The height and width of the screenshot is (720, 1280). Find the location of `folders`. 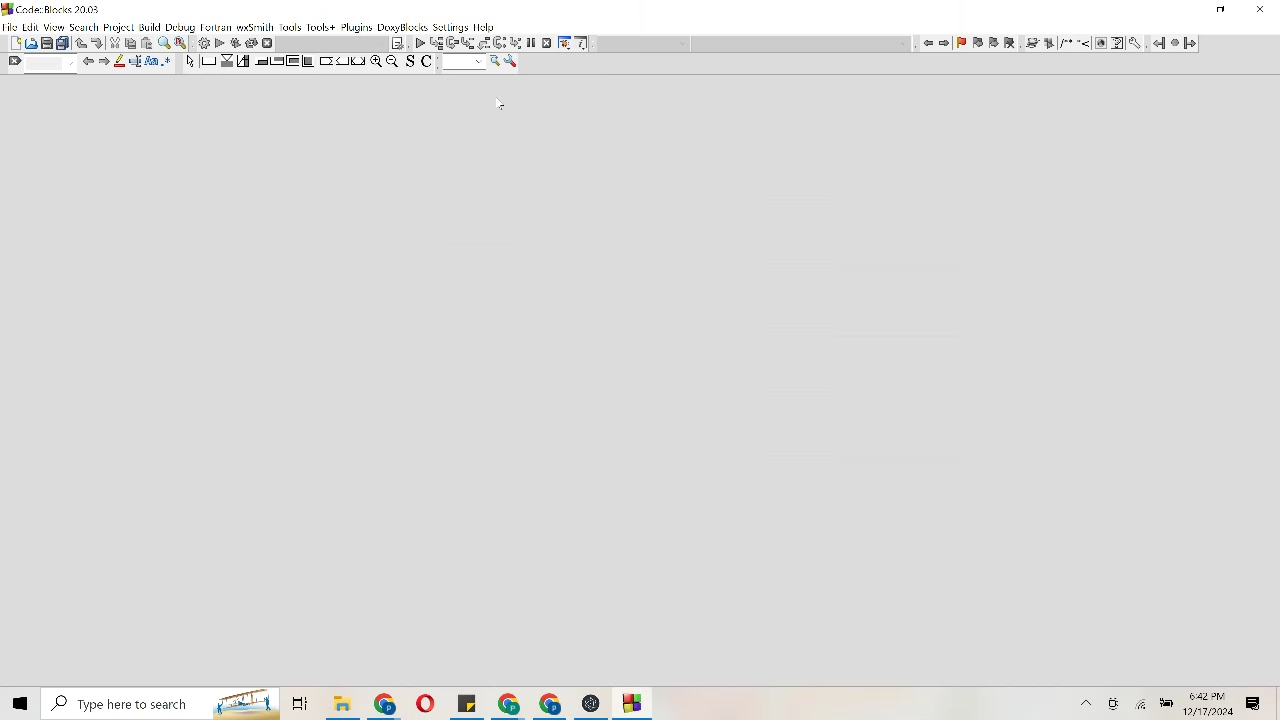

folders is located at coordinates (299, 704).